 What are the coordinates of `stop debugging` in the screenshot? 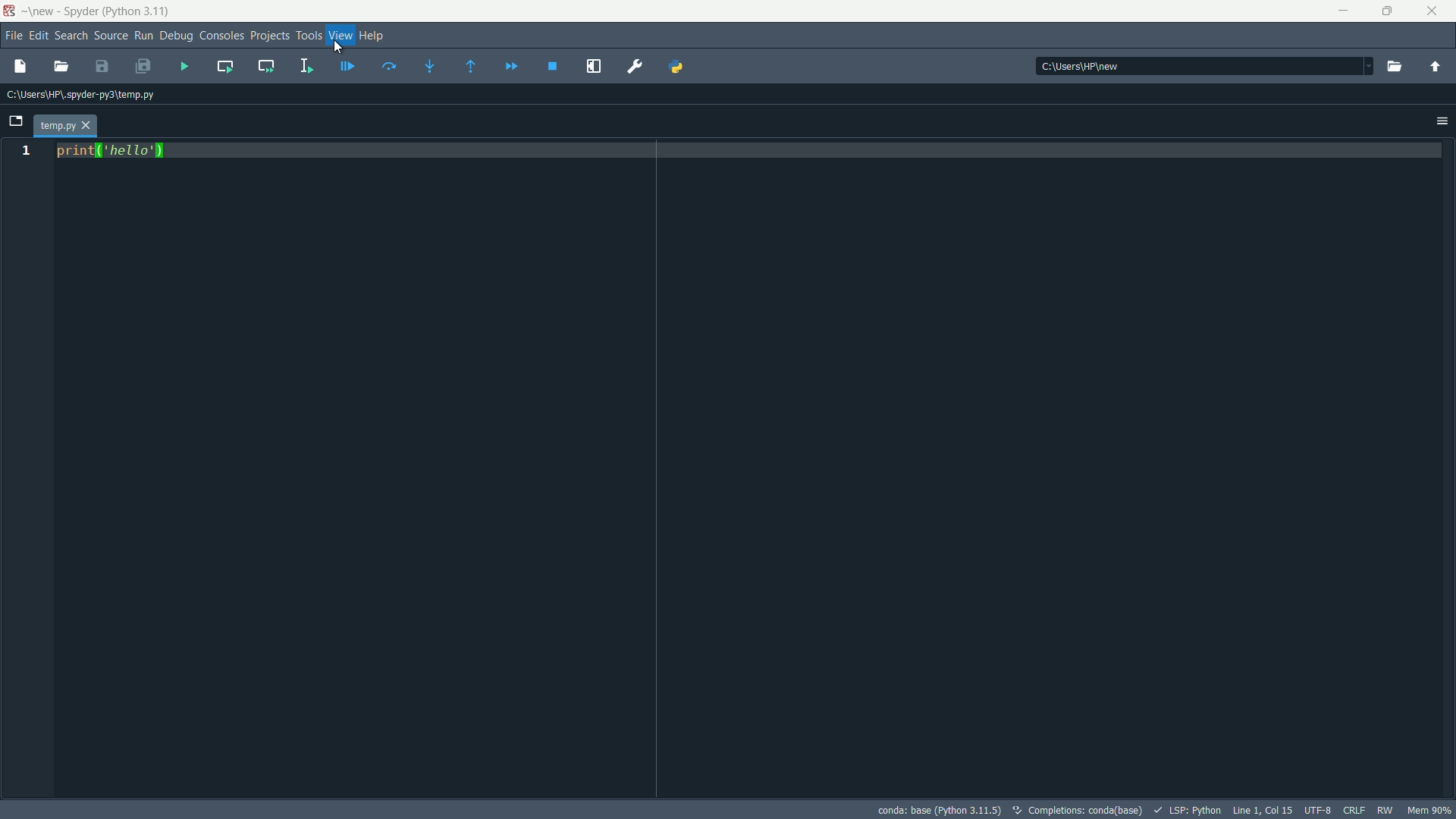 It's located at (553, 66).